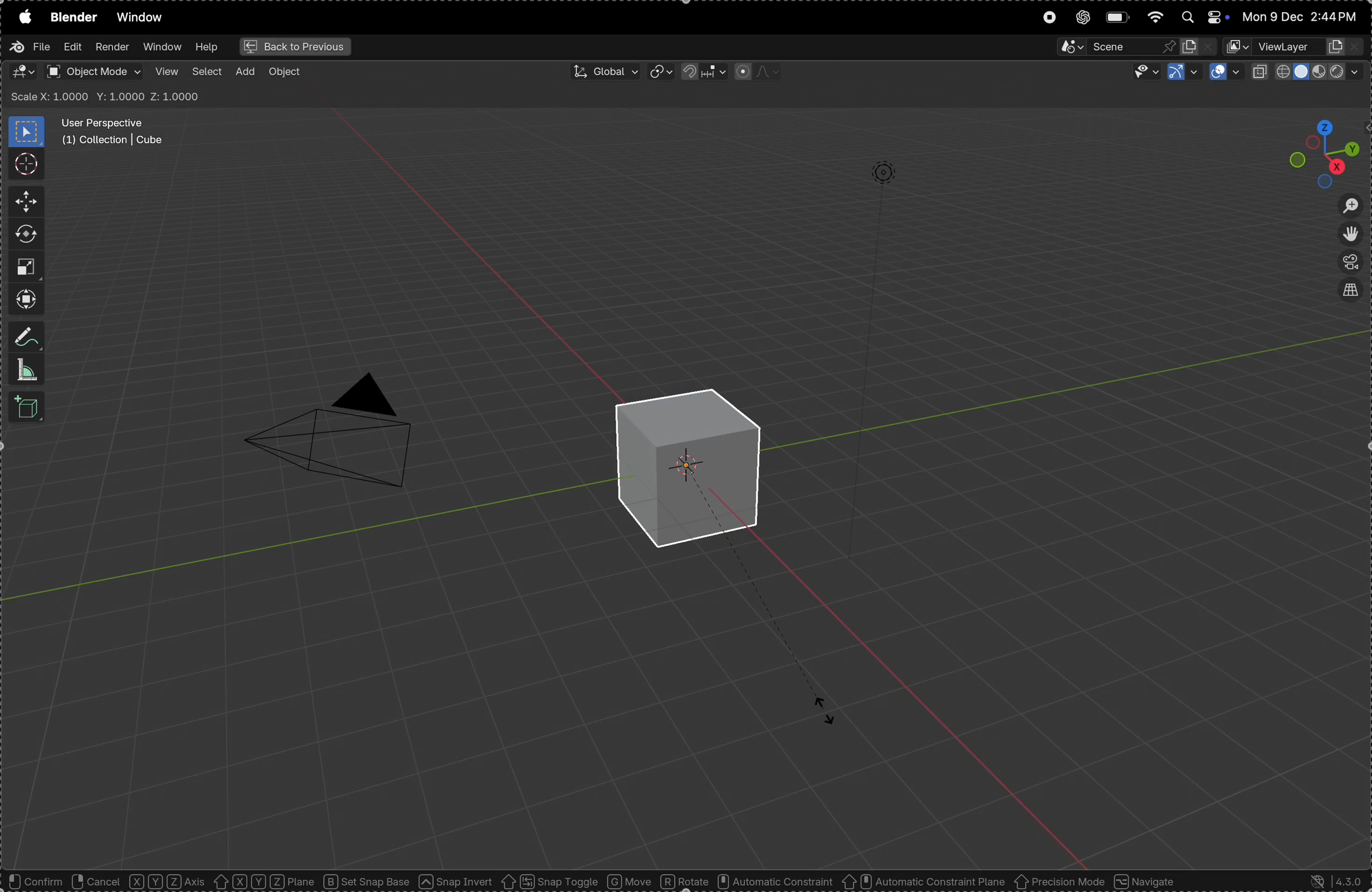  Describe the element at coordinates (1145, 73) in the screenshot. I see `visibility` at that location.